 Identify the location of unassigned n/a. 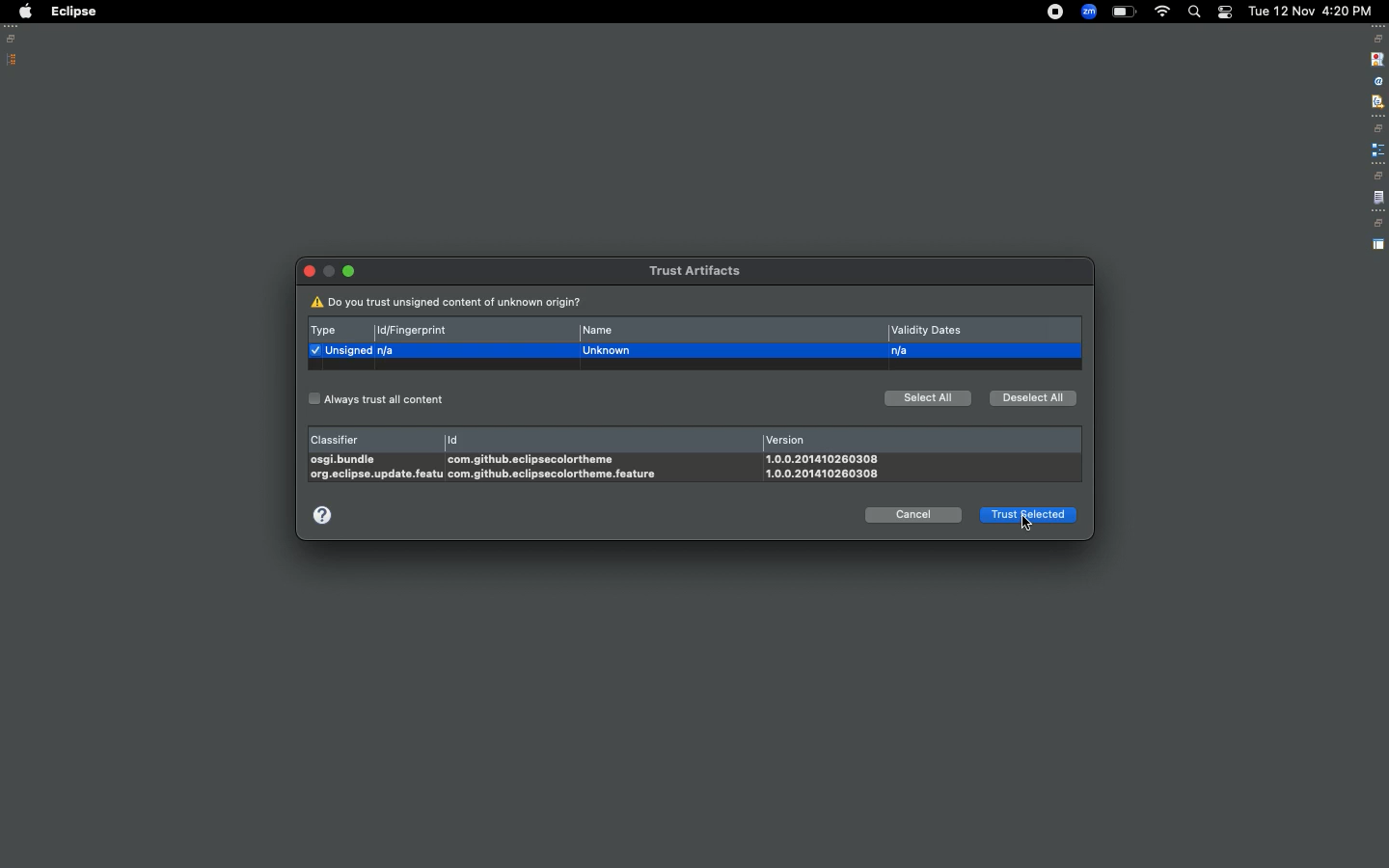
(355, 351).